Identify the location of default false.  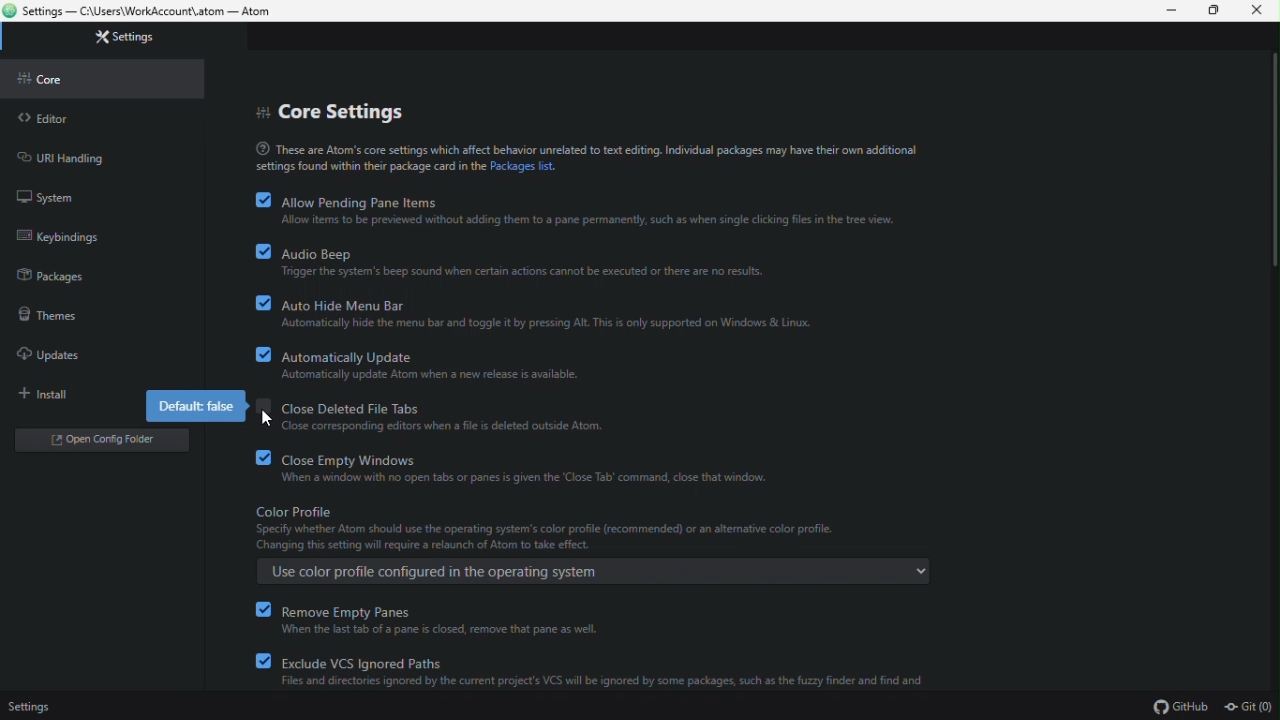
(195, 407).